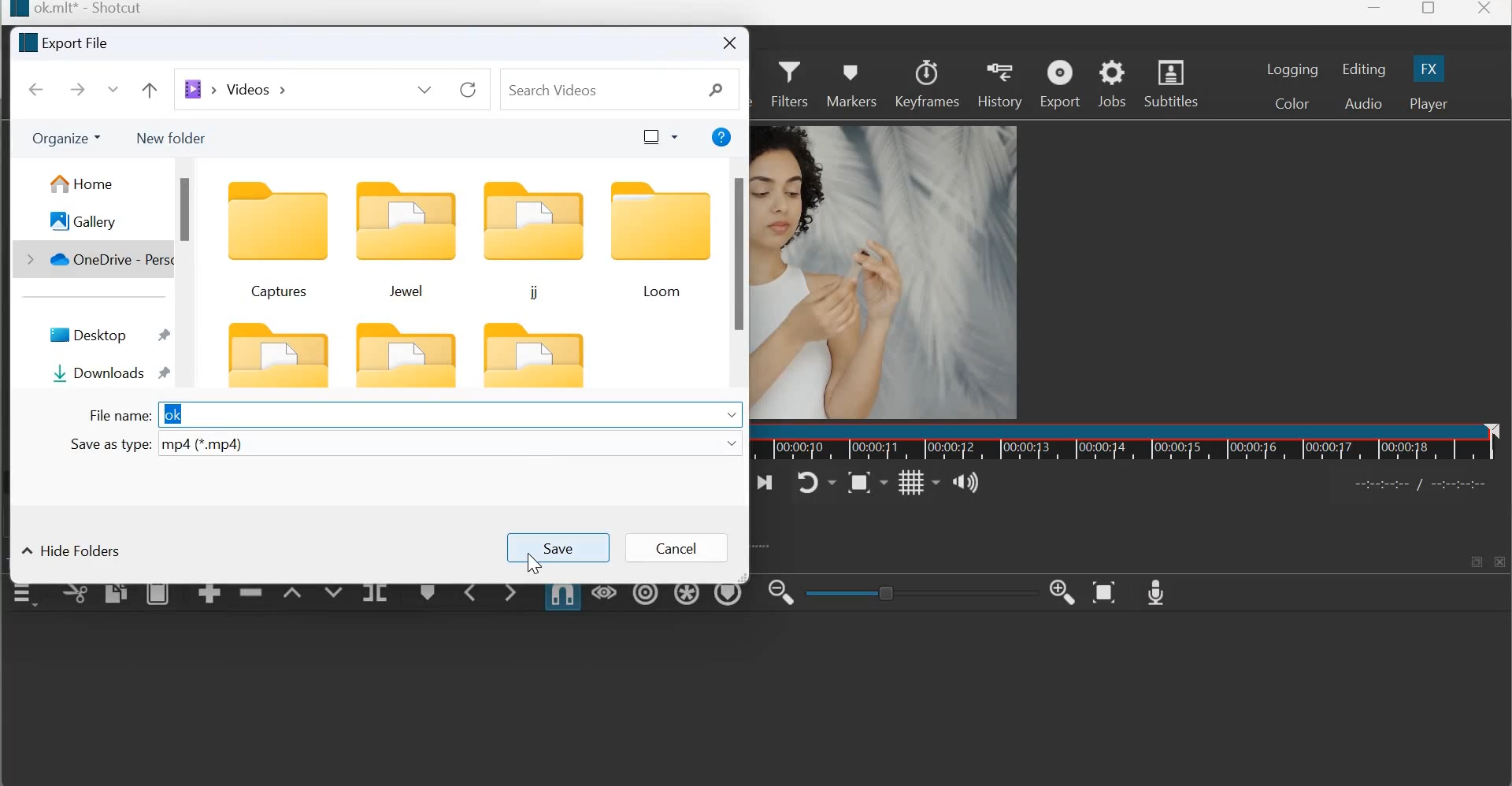 The image size is (1512, 786). What do you see at coordinates (530, 241) in the screenshot?
I see `jj` at bounding box center [530, 241].